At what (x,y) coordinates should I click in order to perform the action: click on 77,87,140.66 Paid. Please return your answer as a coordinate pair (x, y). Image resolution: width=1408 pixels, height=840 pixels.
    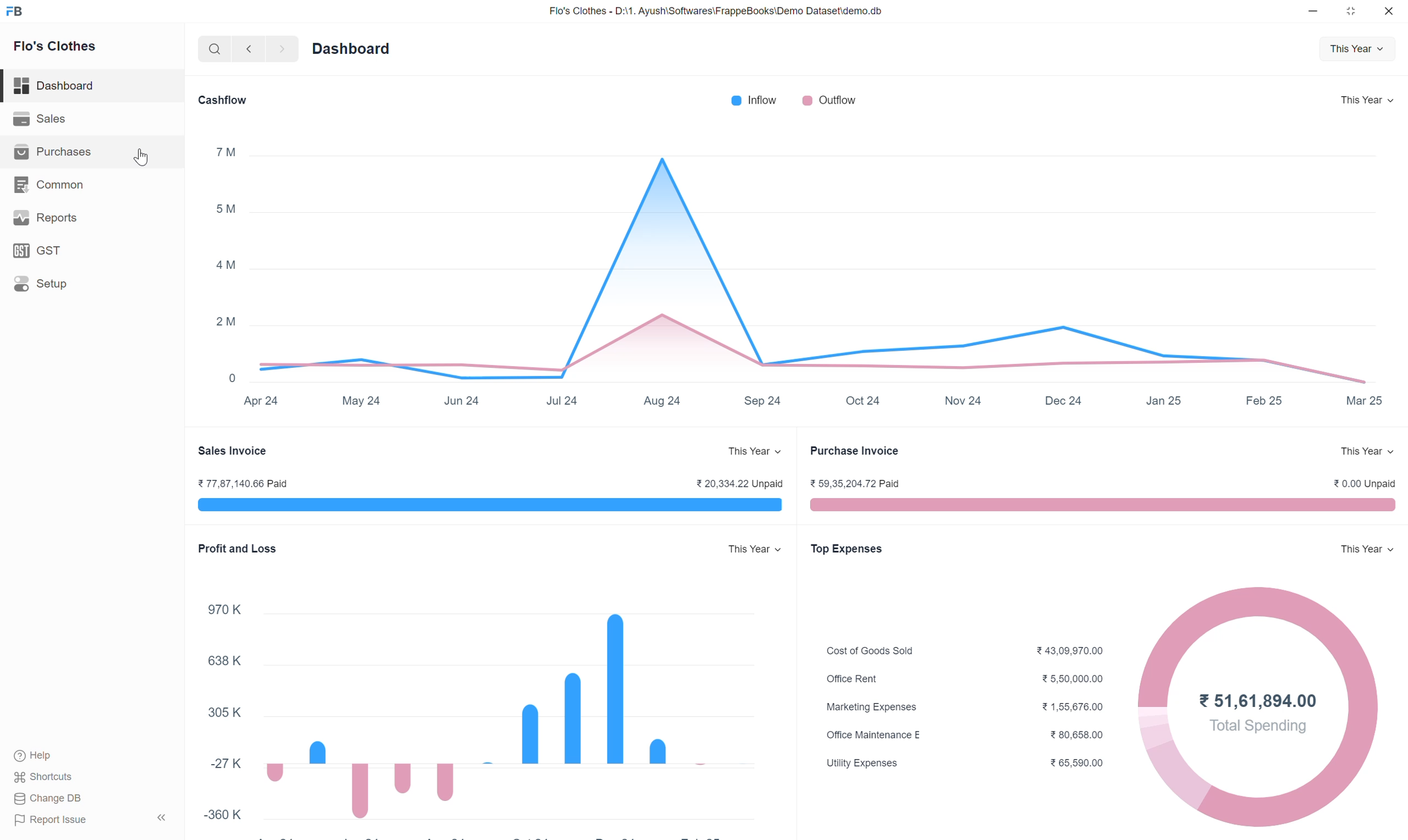
    Looking at the image, I should click on (243, 484).